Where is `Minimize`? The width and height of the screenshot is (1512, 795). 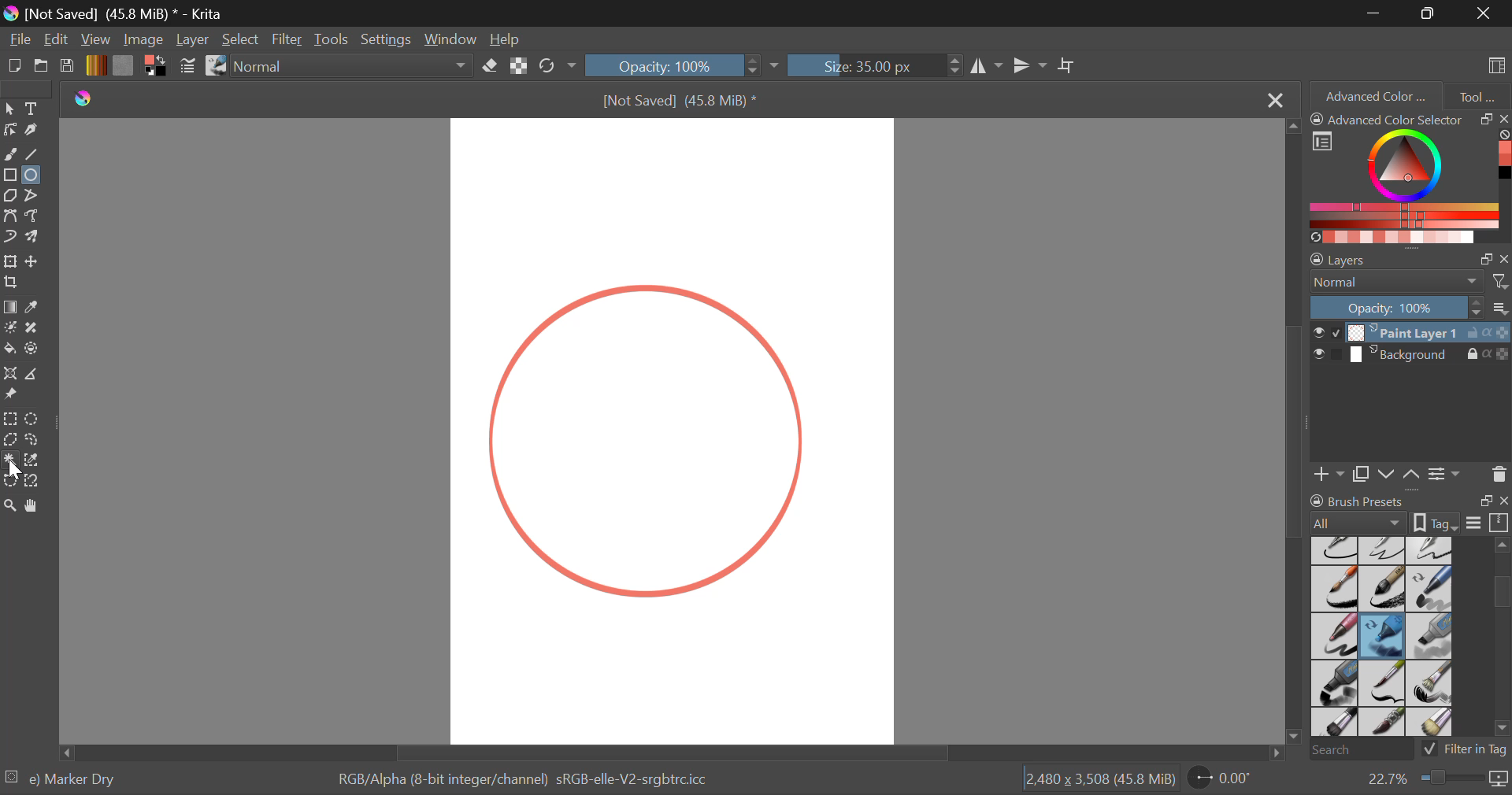 Minimize is located at coordinates (1431, 13).